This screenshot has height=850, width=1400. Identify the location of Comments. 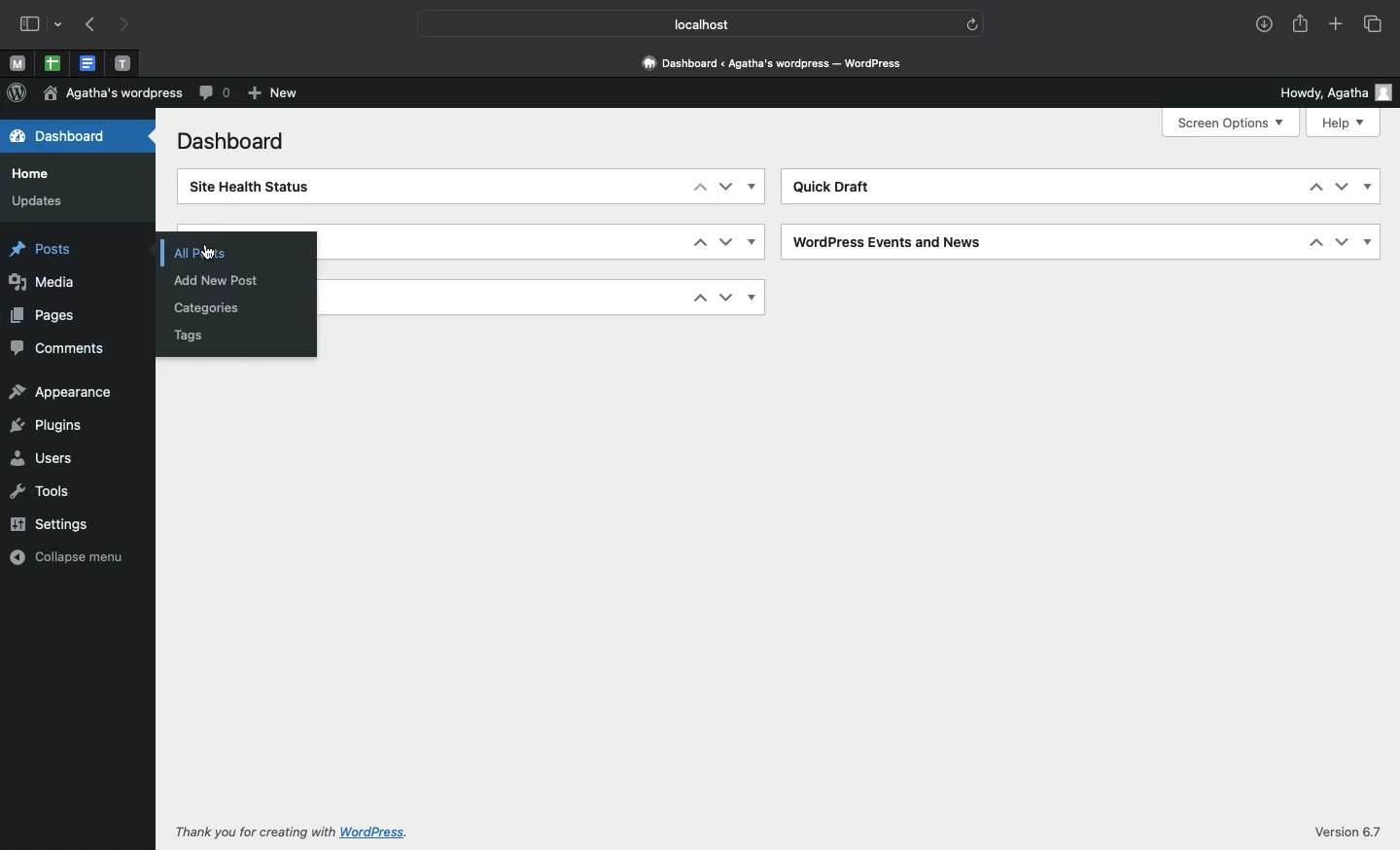
(213, 94).